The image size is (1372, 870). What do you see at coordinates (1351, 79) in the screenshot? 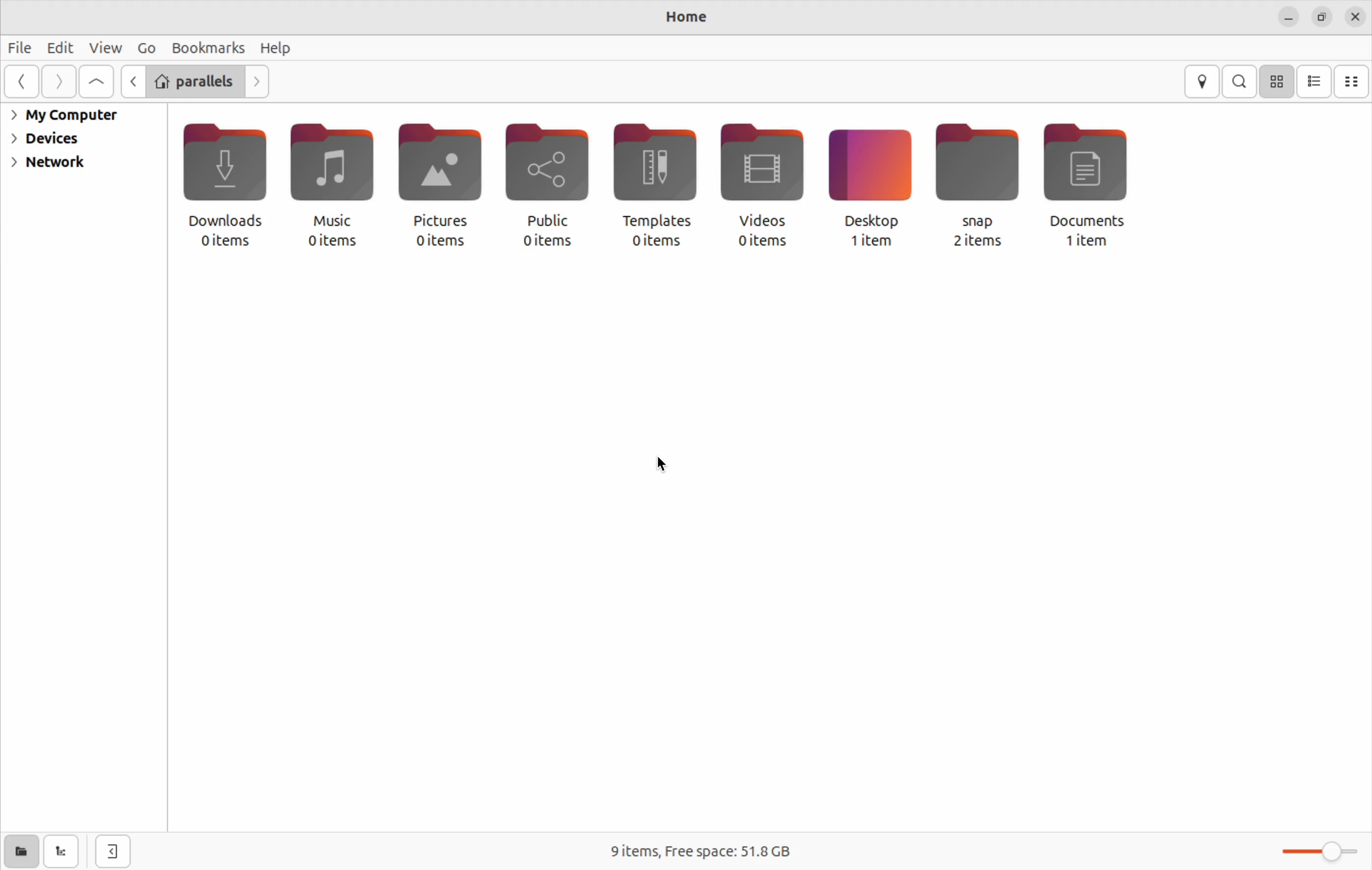
I see `compact view` at bounding box center [1351, 79].